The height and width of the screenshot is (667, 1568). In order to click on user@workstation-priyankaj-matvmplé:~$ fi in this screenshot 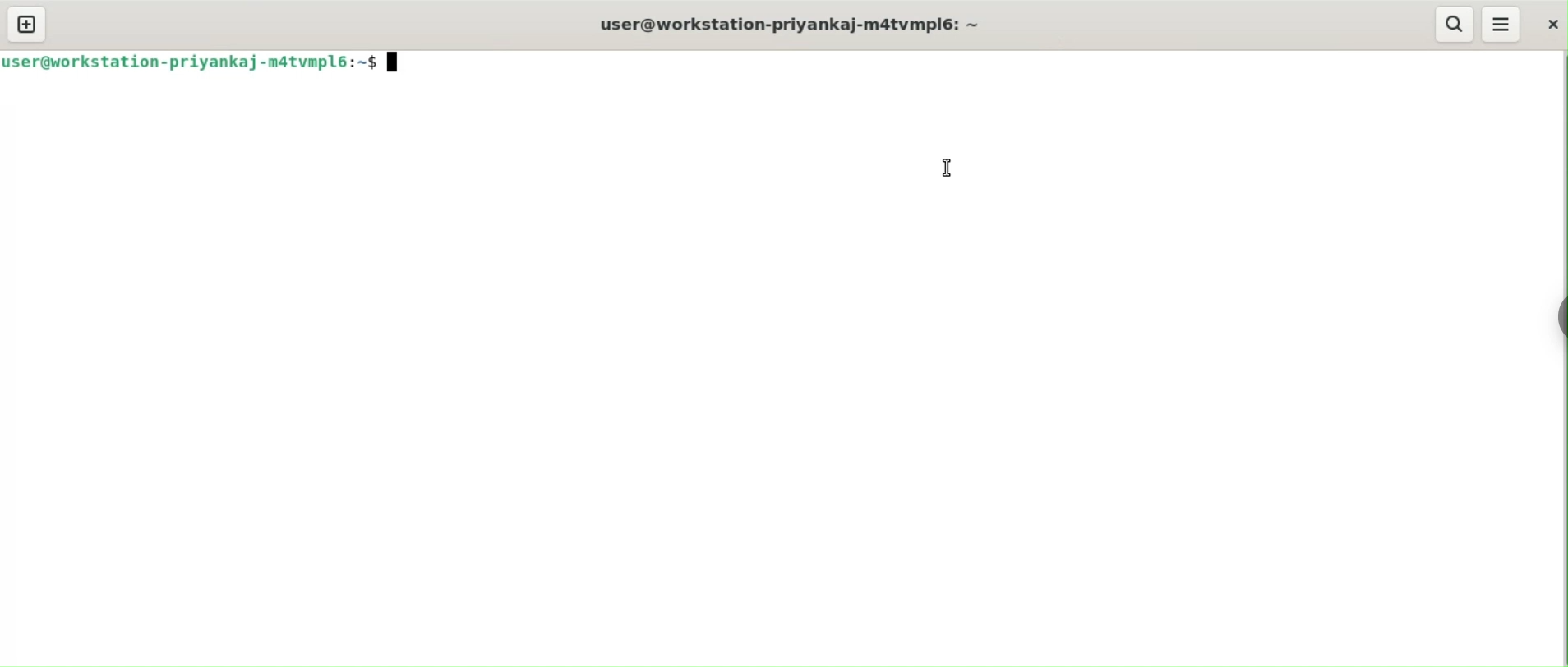, I will do `click(218, 60)`.